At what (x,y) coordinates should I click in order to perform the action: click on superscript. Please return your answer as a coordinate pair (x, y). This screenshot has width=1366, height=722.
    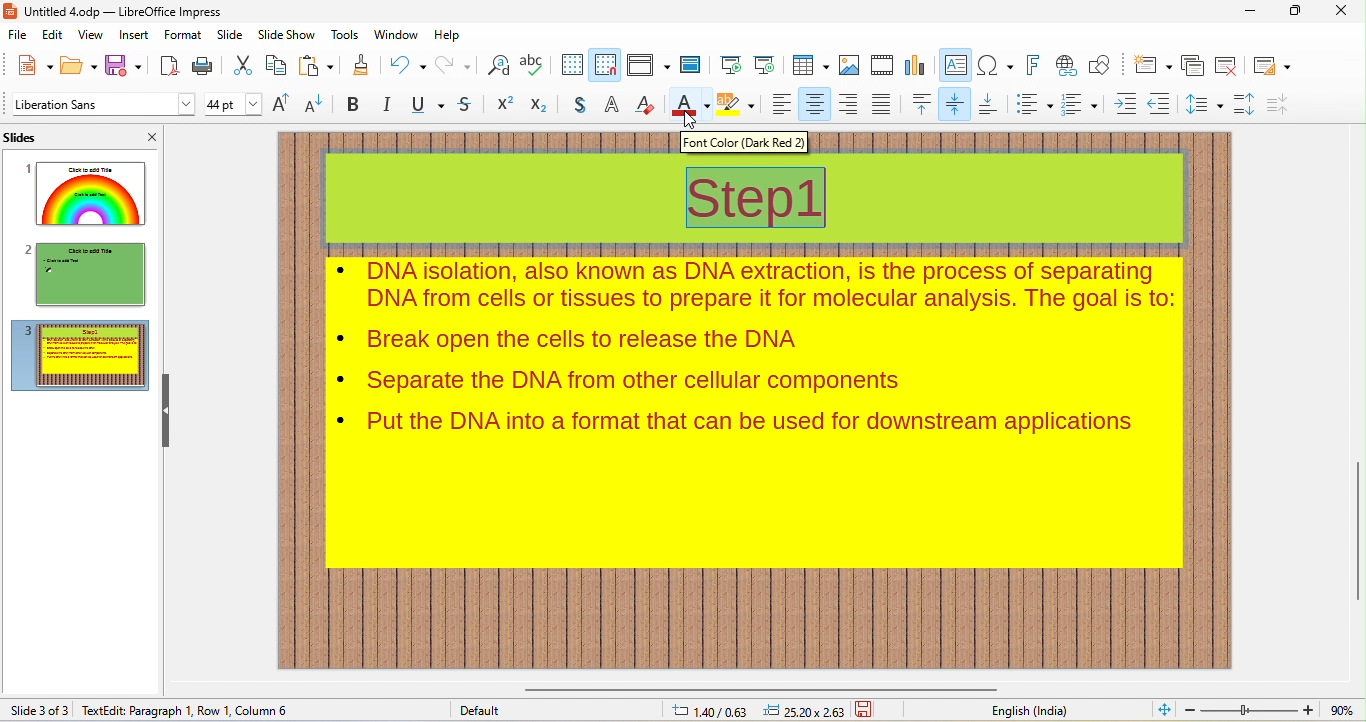
    Looking at the image, I should click on (507, 104).